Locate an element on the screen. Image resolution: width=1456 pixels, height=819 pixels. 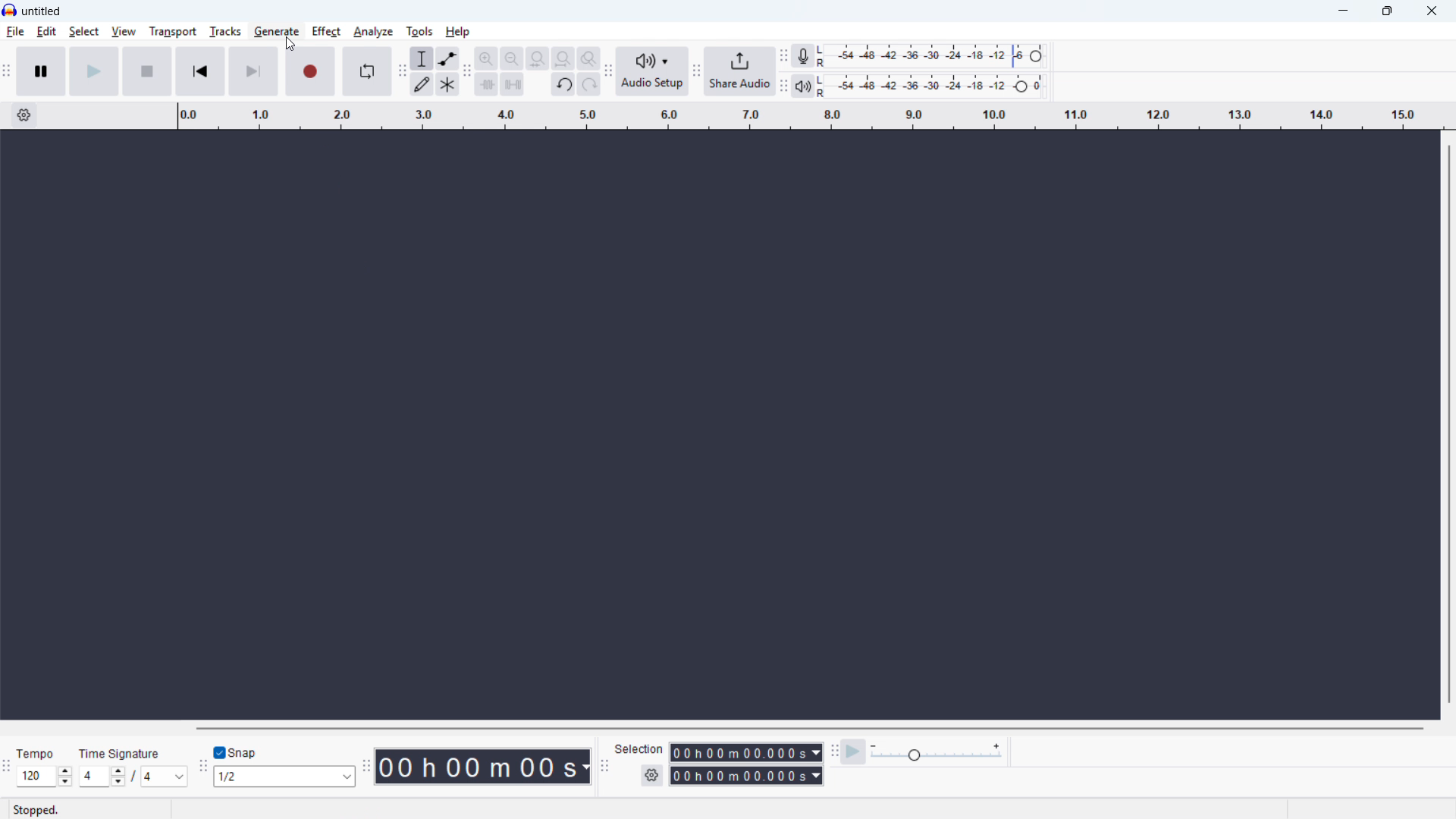
Effect  is located at coordinates (325, 31).